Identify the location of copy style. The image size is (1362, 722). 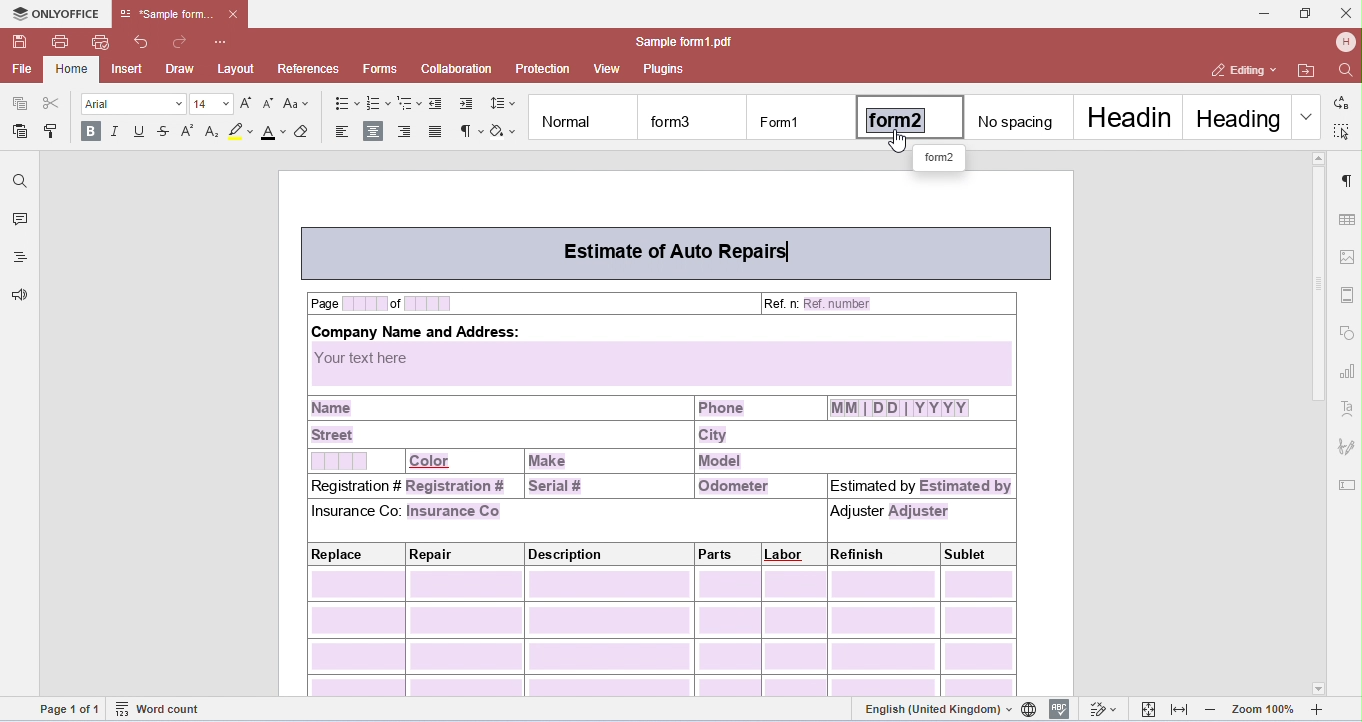
(54, 129).